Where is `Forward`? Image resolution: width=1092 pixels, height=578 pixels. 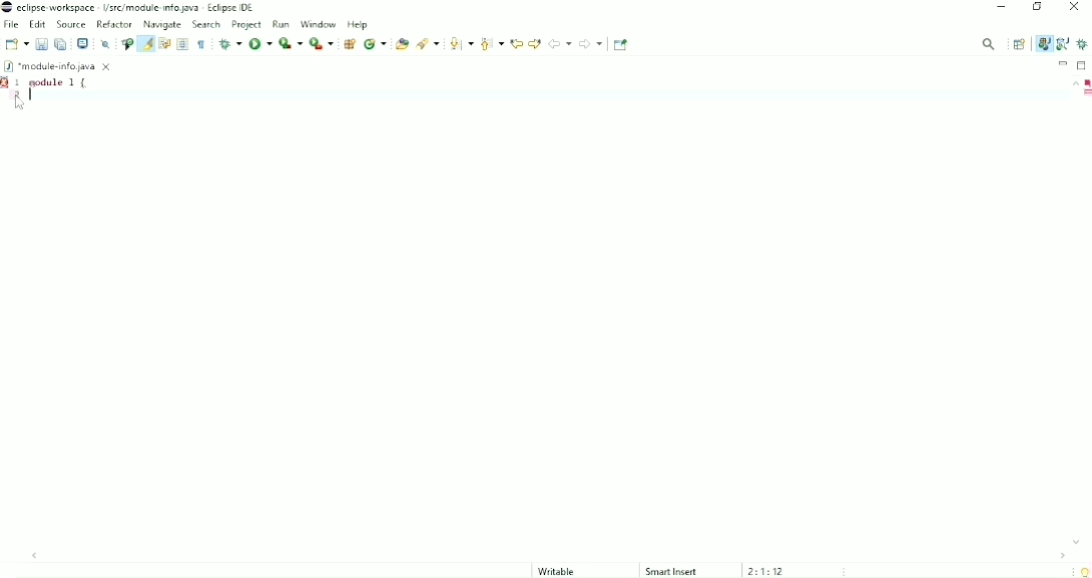
Forward is located at coordinates (591, 44).